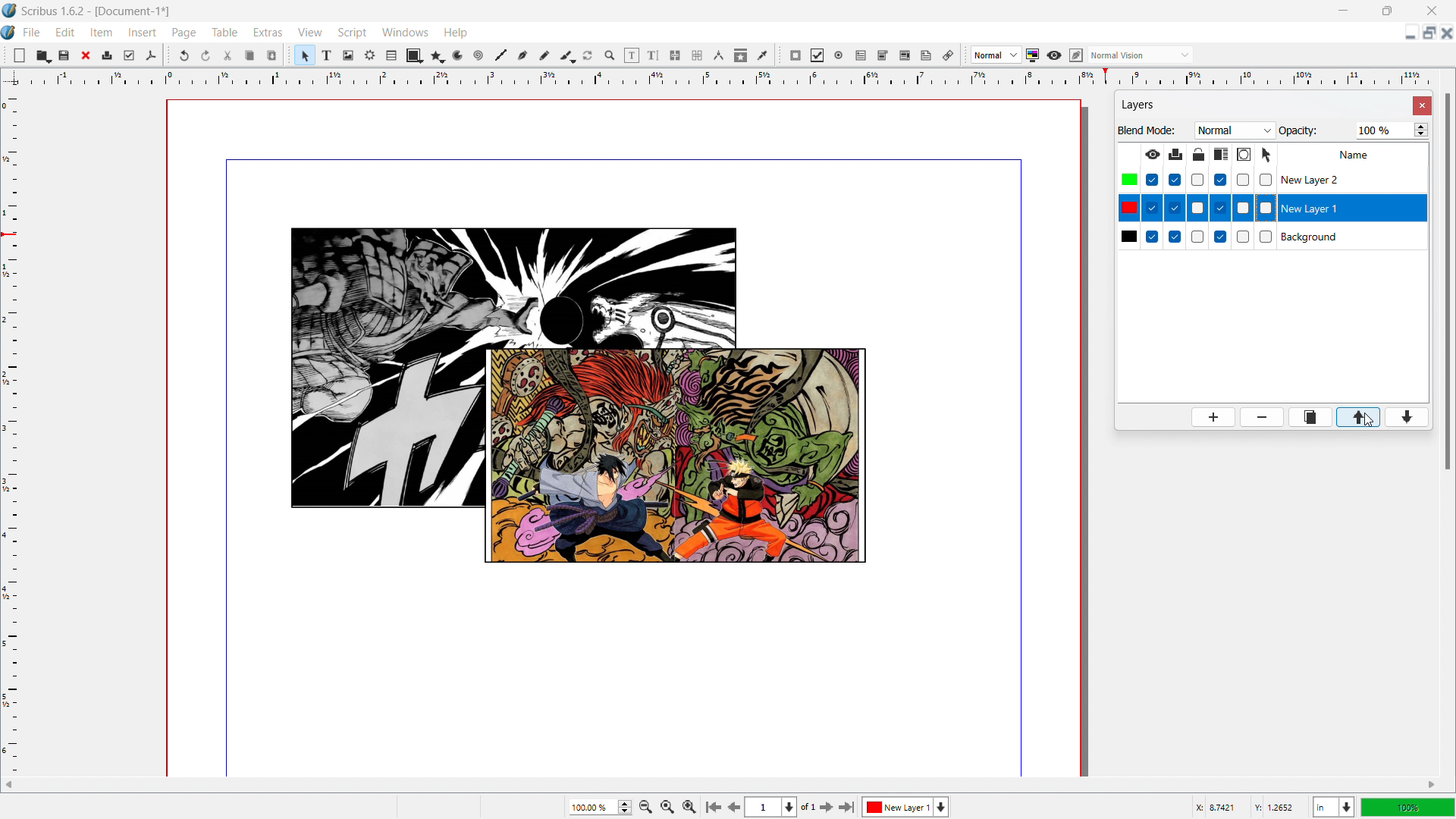 The height and width of the screenshot is (819, 1456). What do you see at coordinates (289, 54) in the screenshot?
I see `move toolbox` at bounding box center [289, 54].